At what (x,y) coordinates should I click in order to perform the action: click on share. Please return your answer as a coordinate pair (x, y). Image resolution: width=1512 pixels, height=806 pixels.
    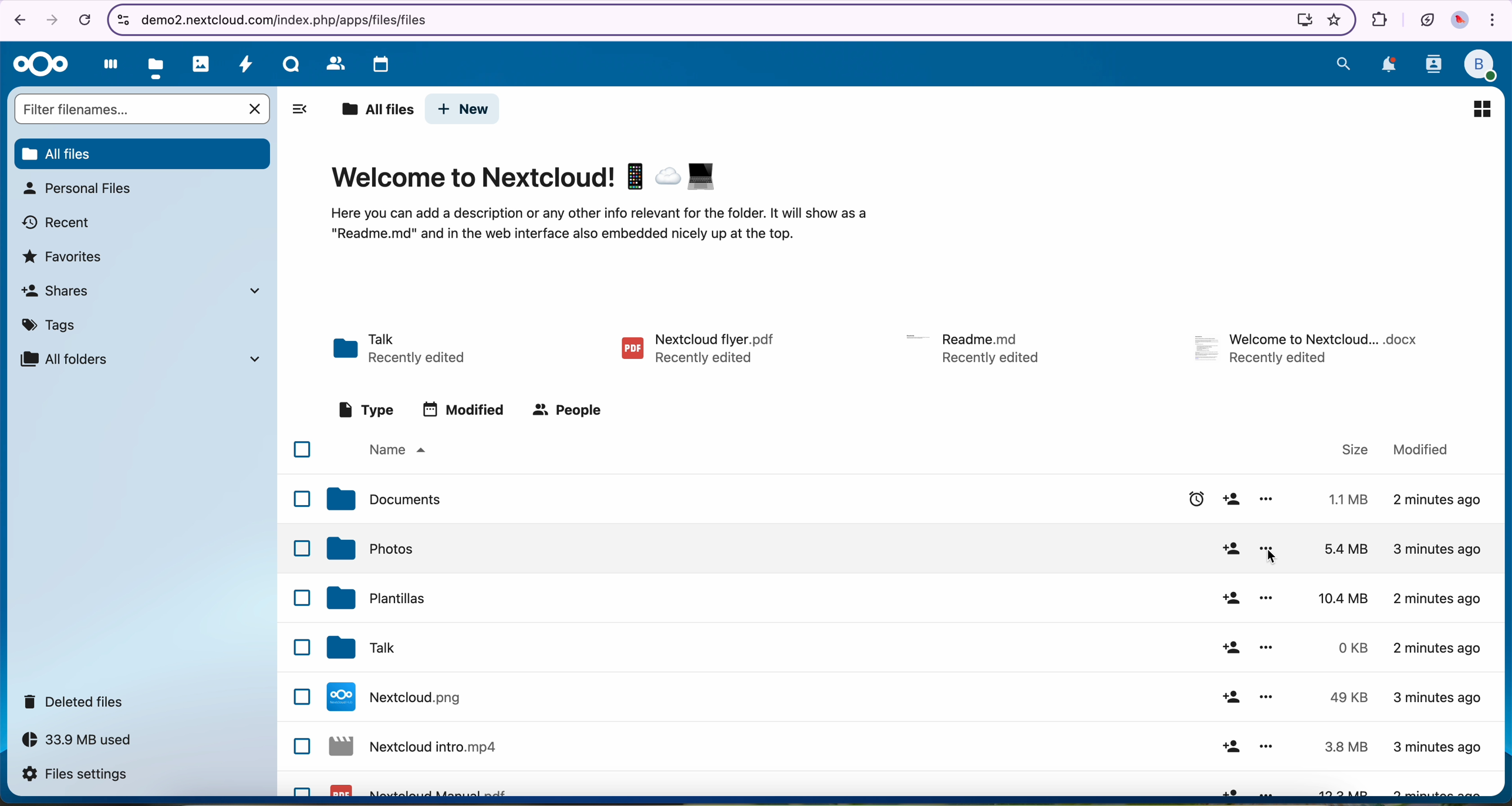
    Looking at the image, I should click on (1230, 747).